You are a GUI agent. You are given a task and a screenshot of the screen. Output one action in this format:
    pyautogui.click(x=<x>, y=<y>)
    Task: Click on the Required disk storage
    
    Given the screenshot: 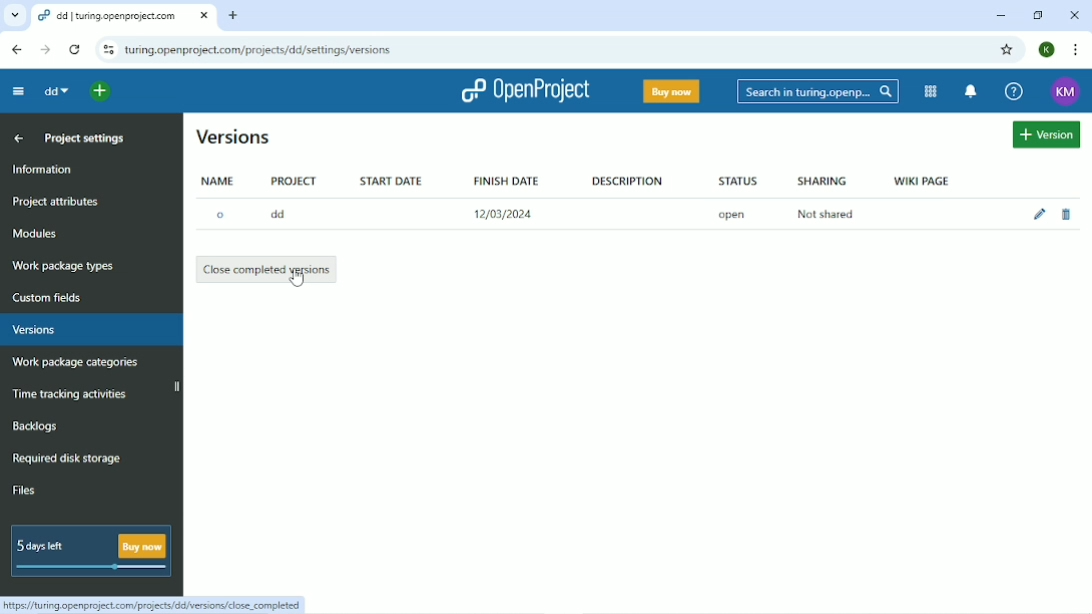 What is the action you would take?
    pyautogui.click(x=73, y=459)
    